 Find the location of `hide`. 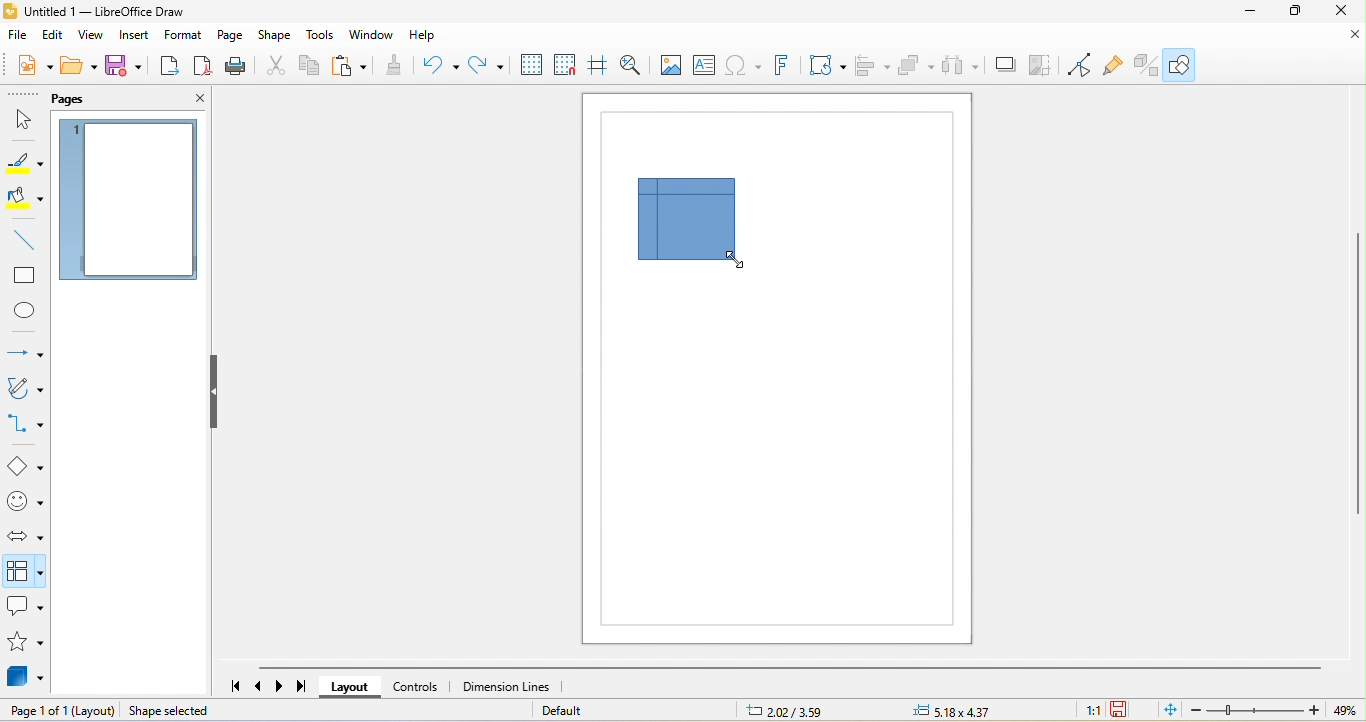

hide is located at coordinates (217, 394).